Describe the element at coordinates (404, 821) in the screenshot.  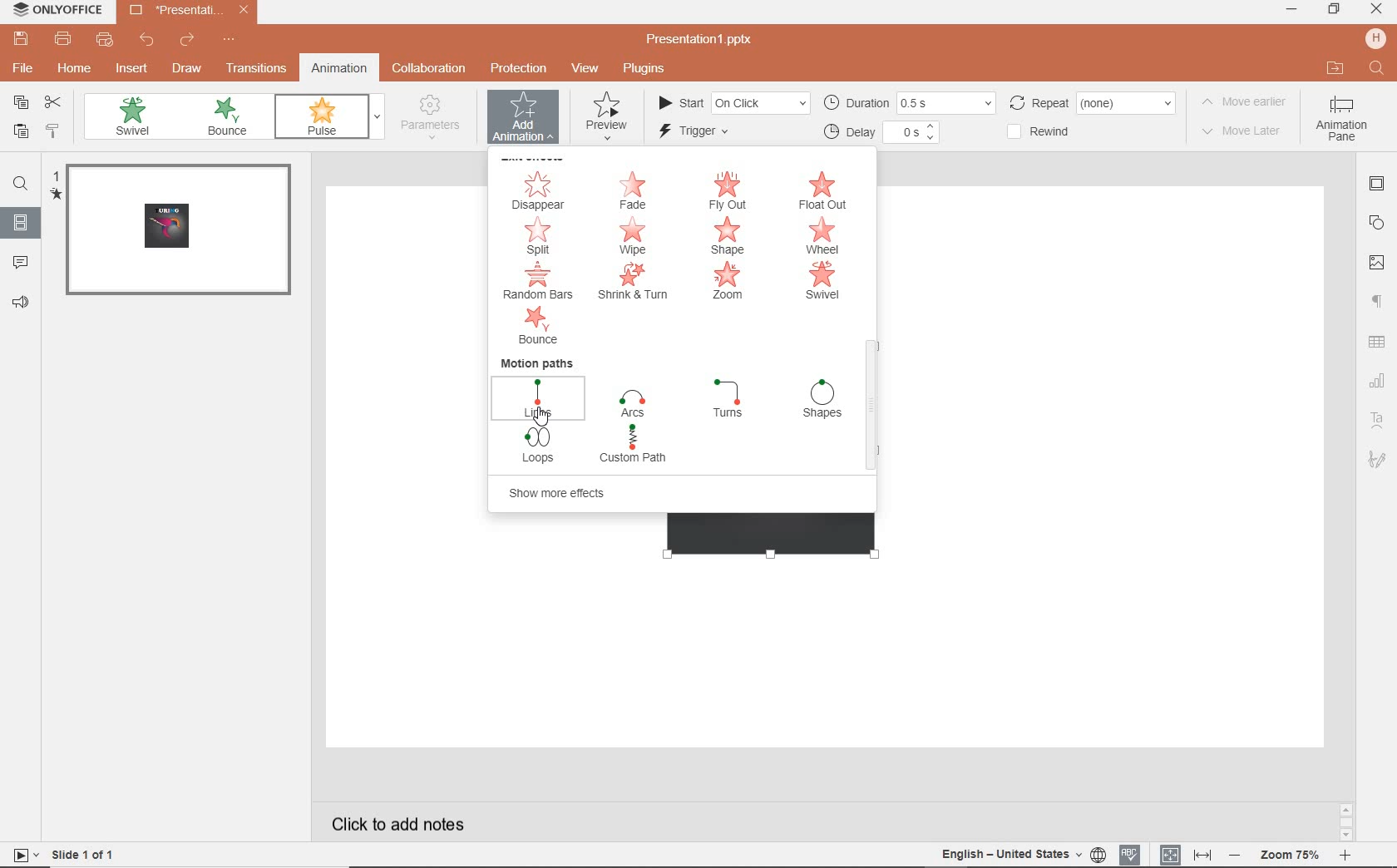
I see `click to add notes` at that location.